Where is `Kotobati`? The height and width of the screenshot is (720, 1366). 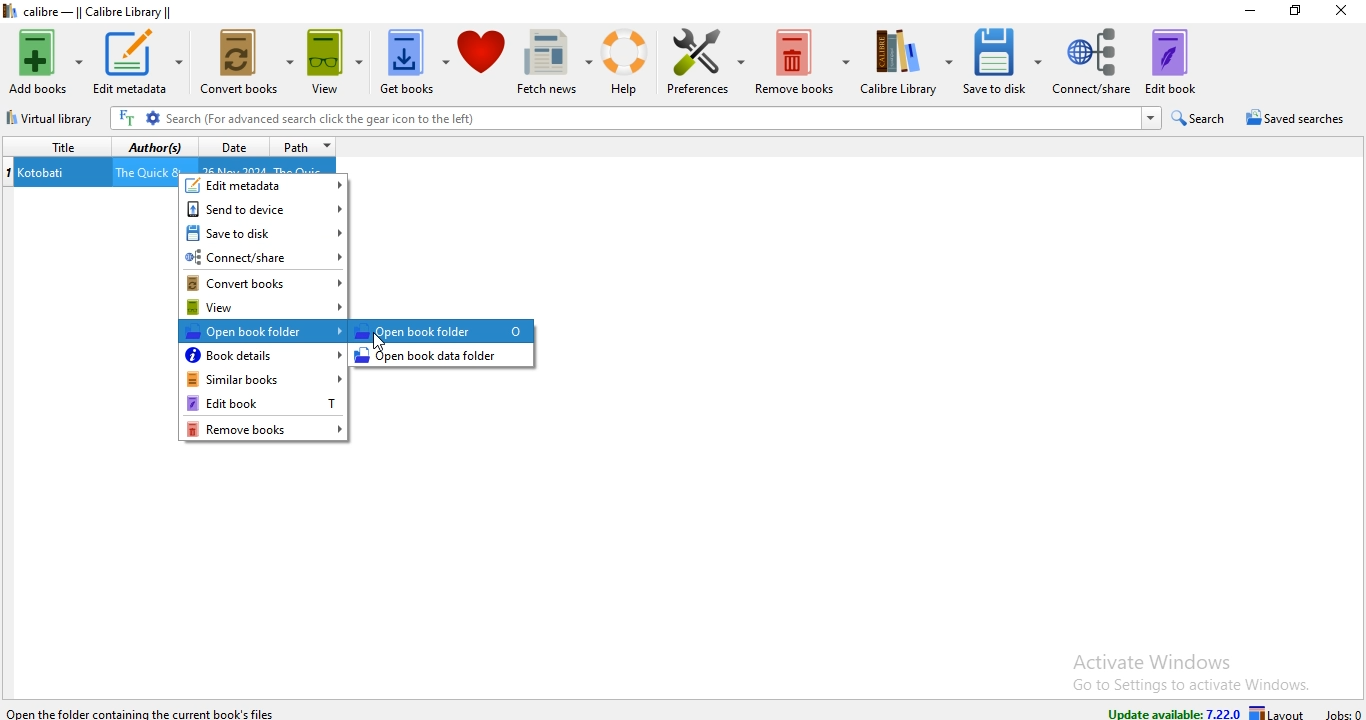 Kotobati is located at coordinates (45, 173).